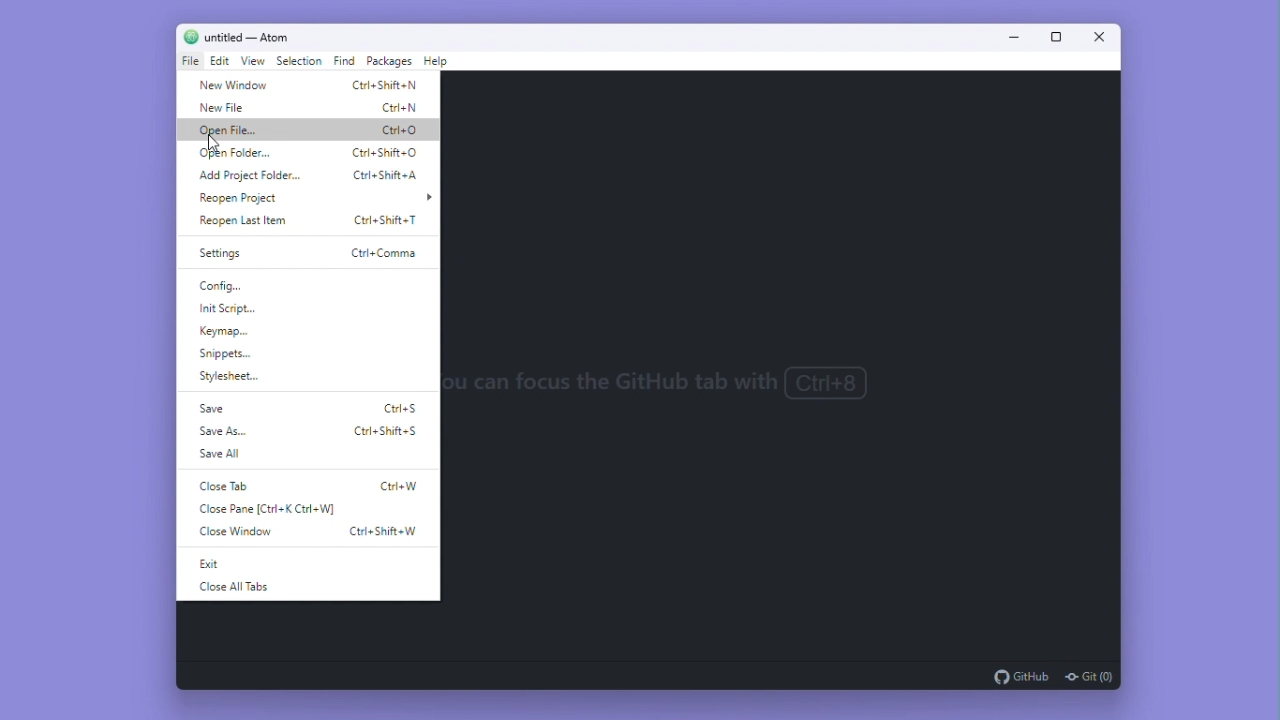 The image size is (1280, 720). What do you see at coordinates (307, 488) in the screenshot?
I see `Close tab ctrl+w` at bounding box center [307, 488].